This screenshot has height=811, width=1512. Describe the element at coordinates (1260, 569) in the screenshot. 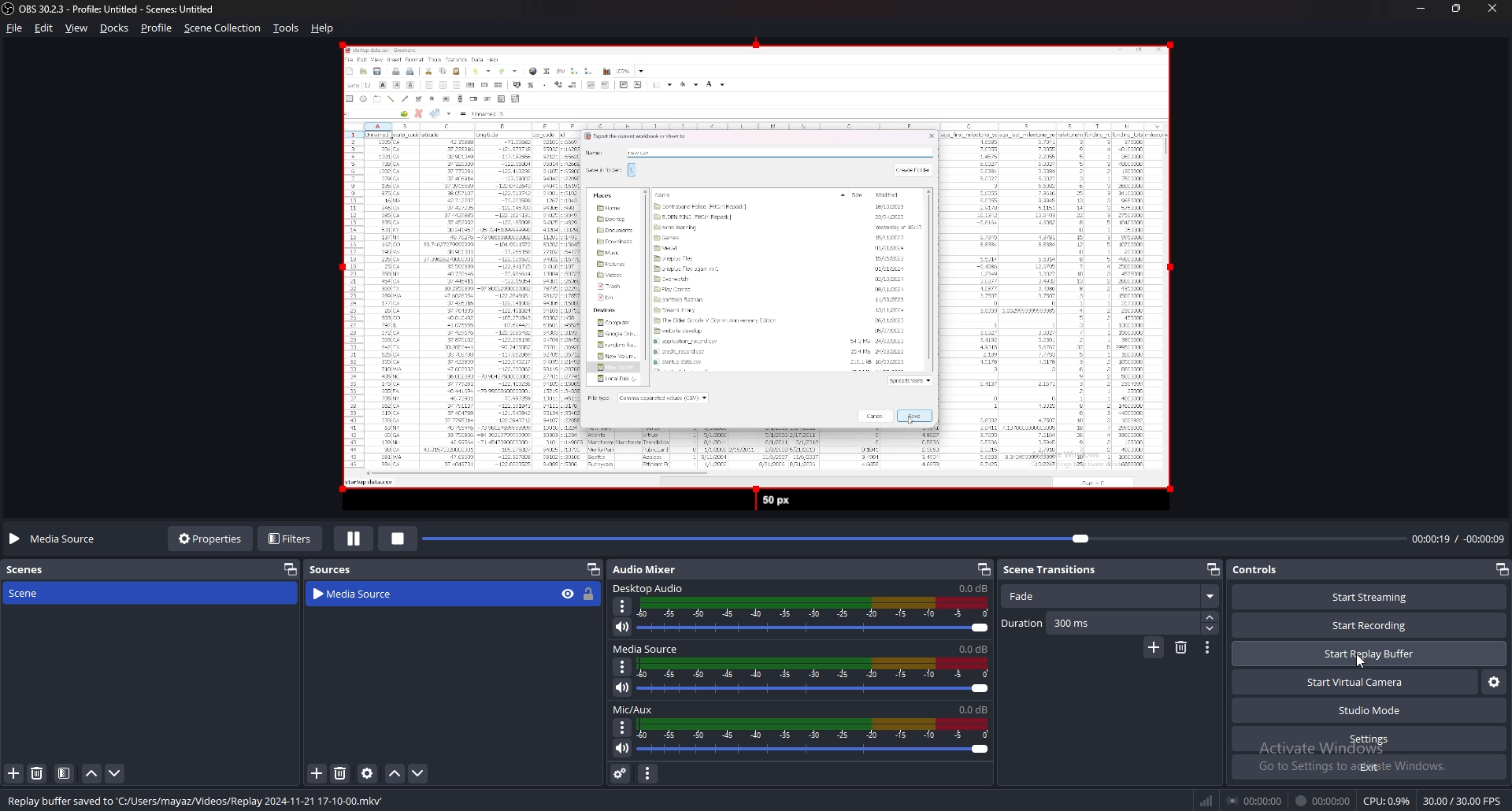

I see `controls` at that location.